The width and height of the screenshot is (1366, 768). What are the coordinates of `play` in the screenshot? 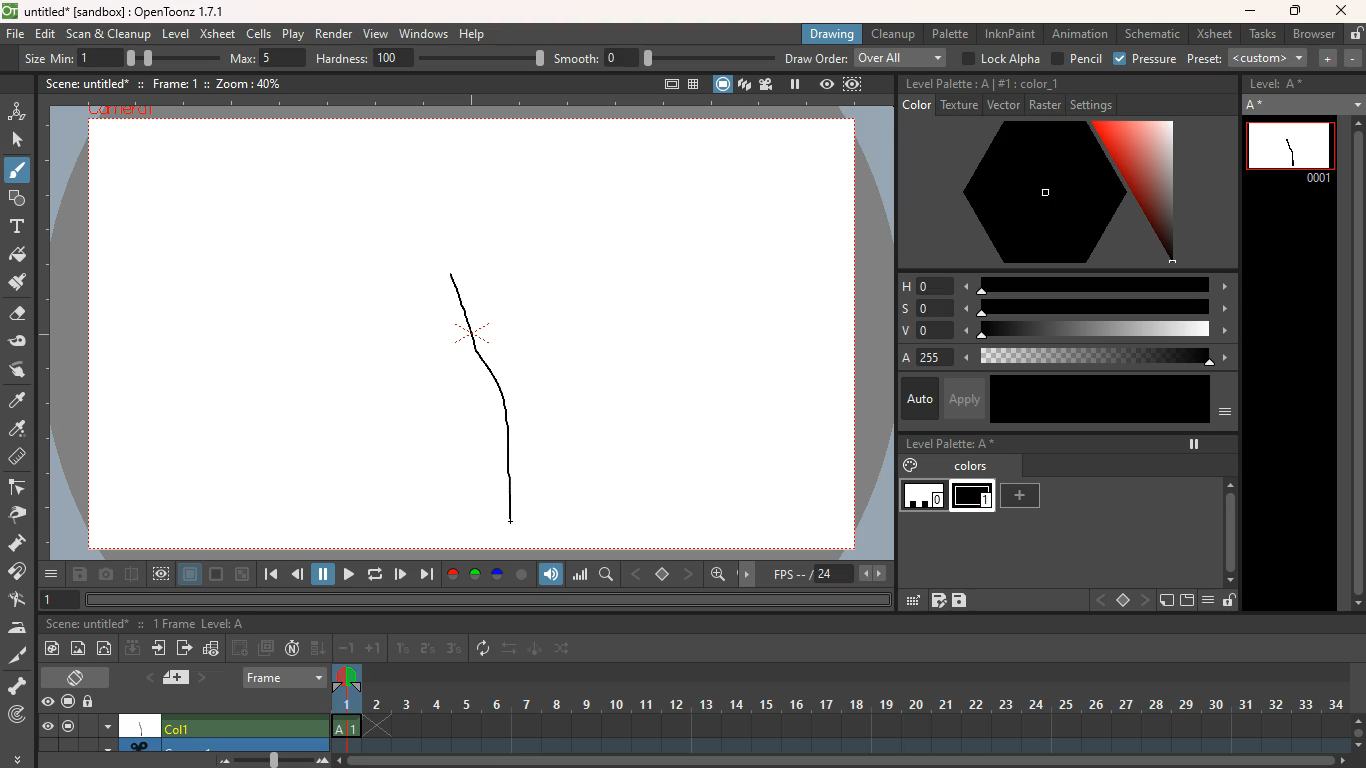 It's located at (401, 573).